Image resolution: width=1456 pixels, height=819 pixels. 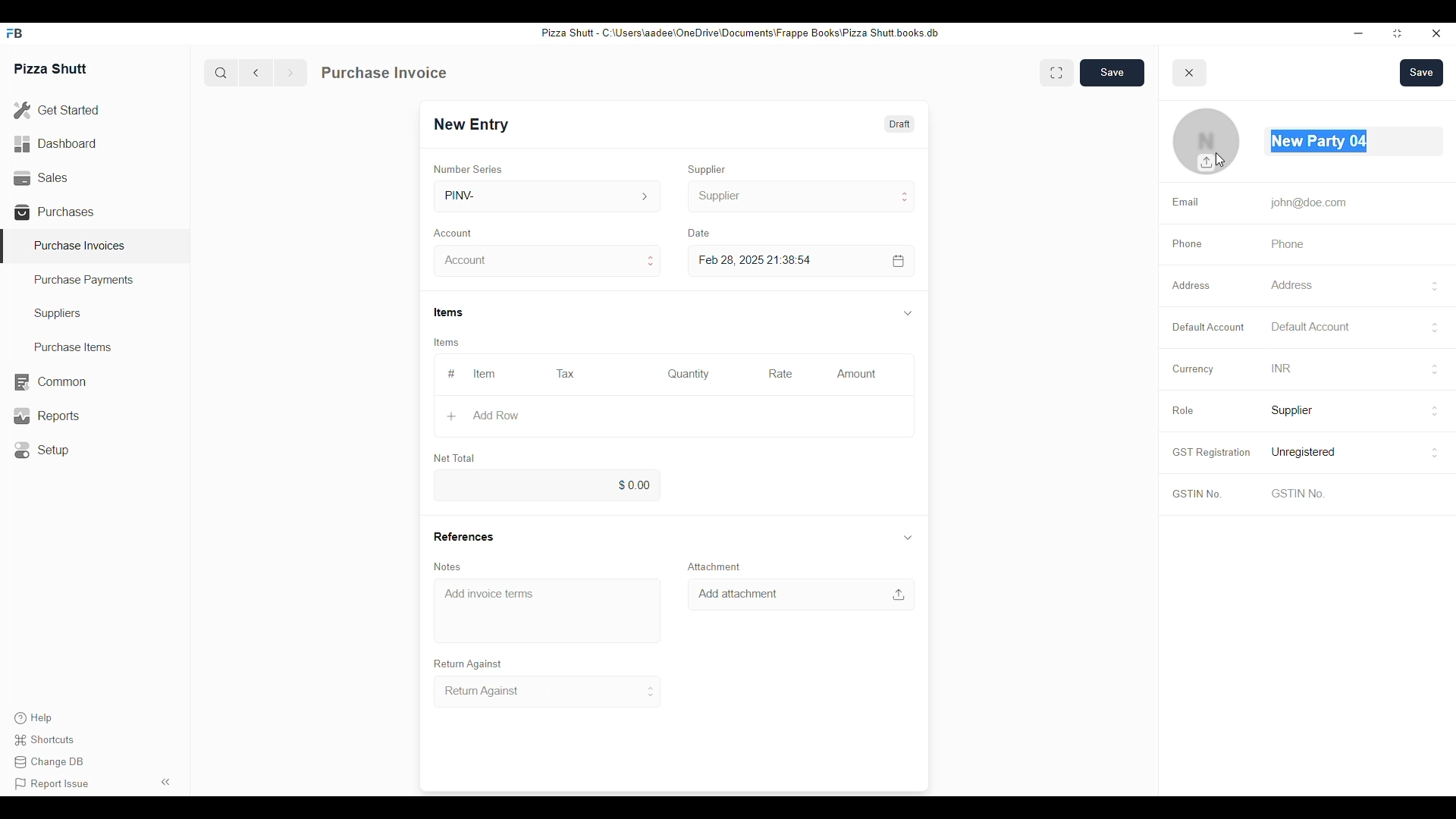 What do you see at coordinates (57, 111) in the screenshot?
I see `Get Started` at bounding box center [57, 111].